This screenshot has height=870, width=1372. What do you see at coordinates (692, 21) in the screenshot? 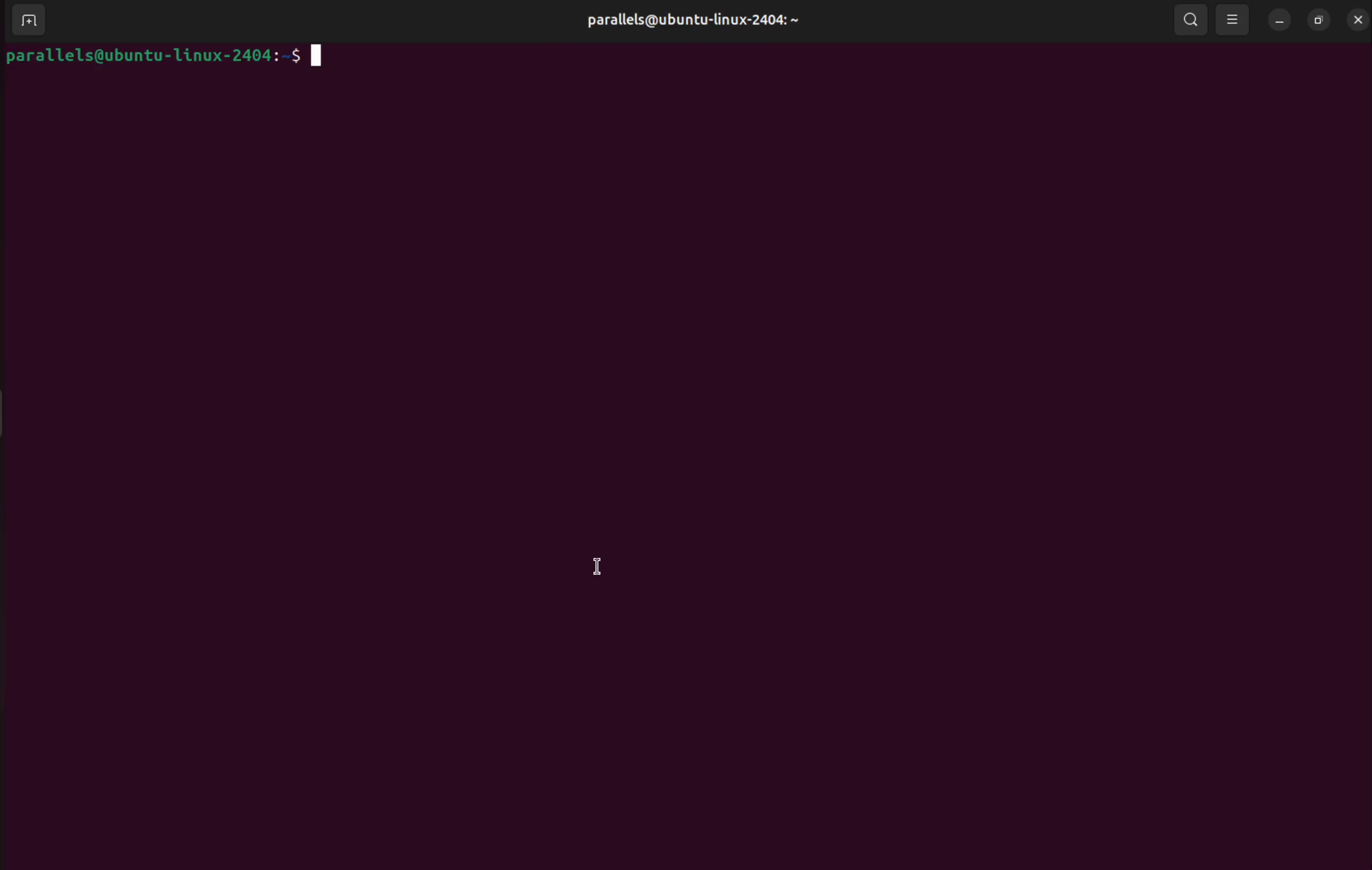
I see `user profile` at bounding box center [692, 21].